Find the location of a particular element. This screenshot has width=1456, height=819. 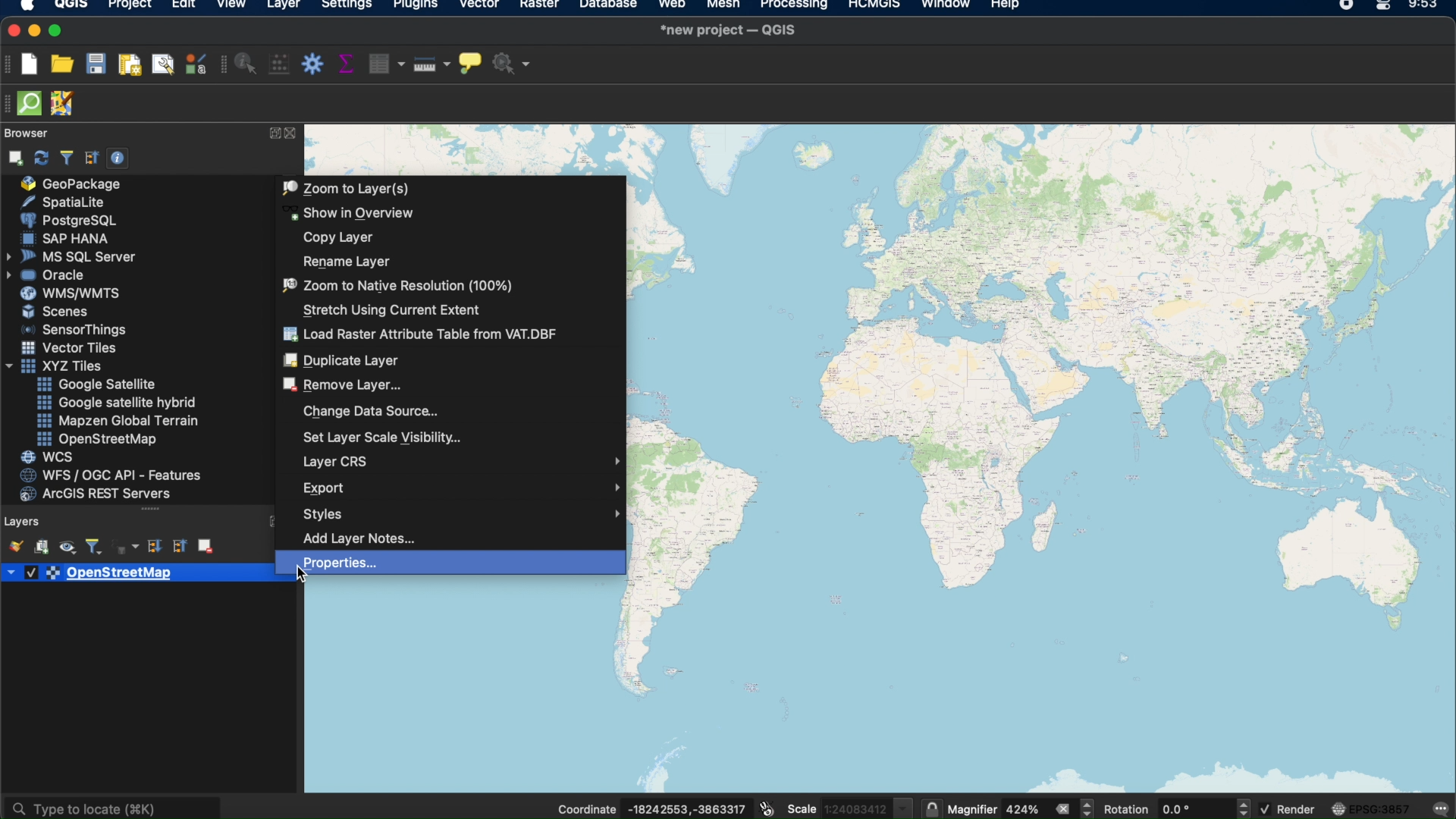

measure line is located at coordinates (429, 64).